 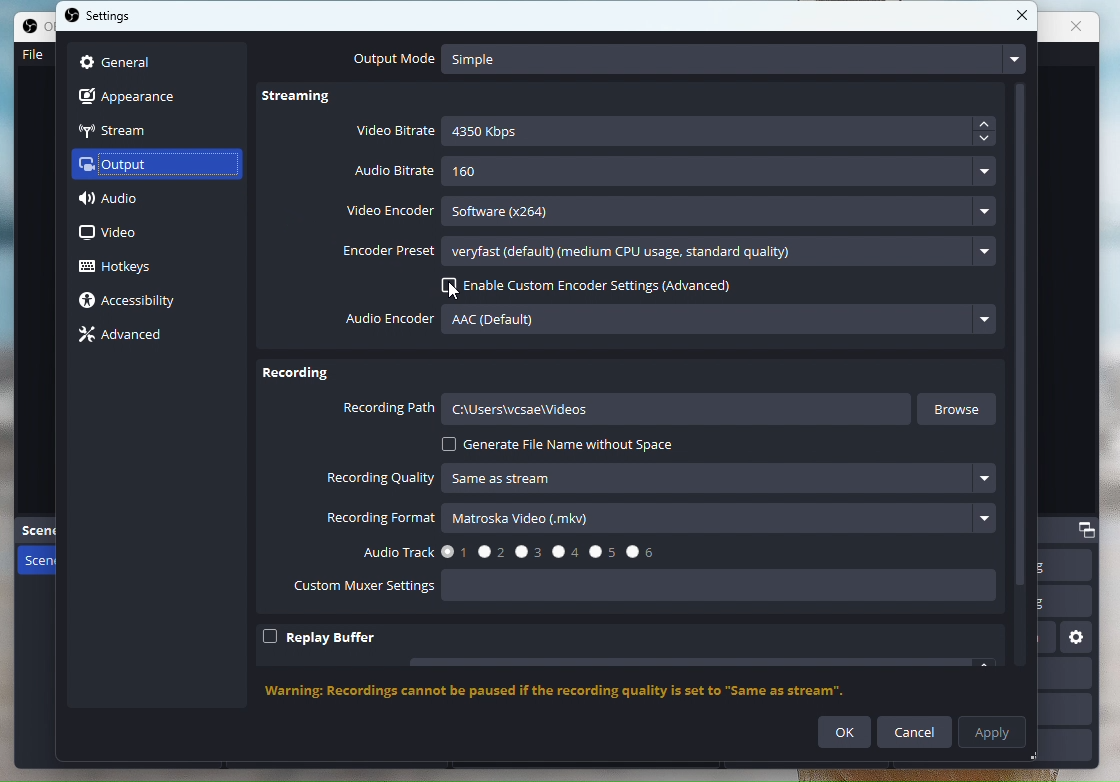 What do you see at coordinates (445, 291) in the screenshot?
I see `cursor` at bounding box center [445, 291].